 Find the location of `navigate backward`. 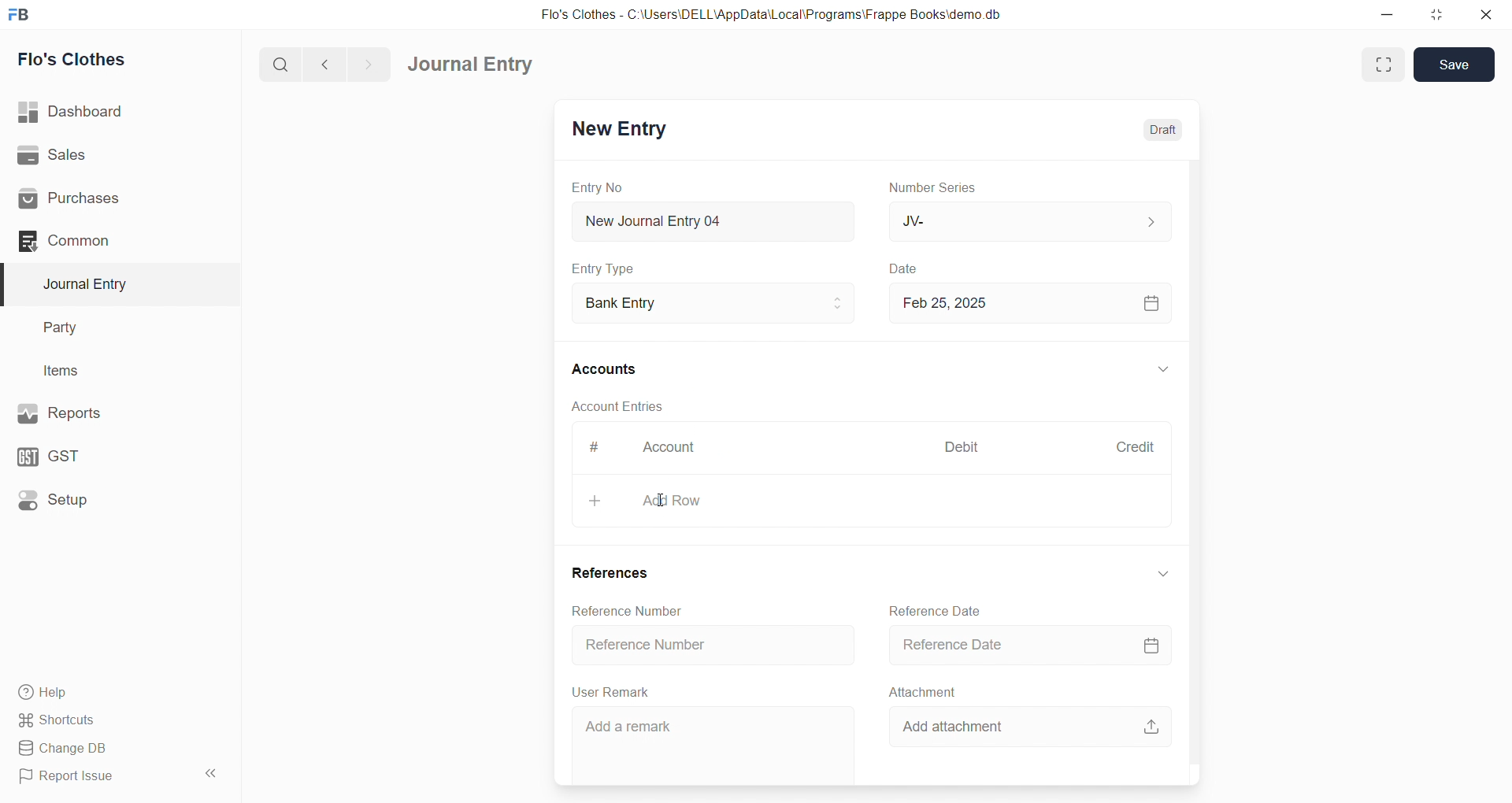

navigate backward is located at coordinates (332, 62).